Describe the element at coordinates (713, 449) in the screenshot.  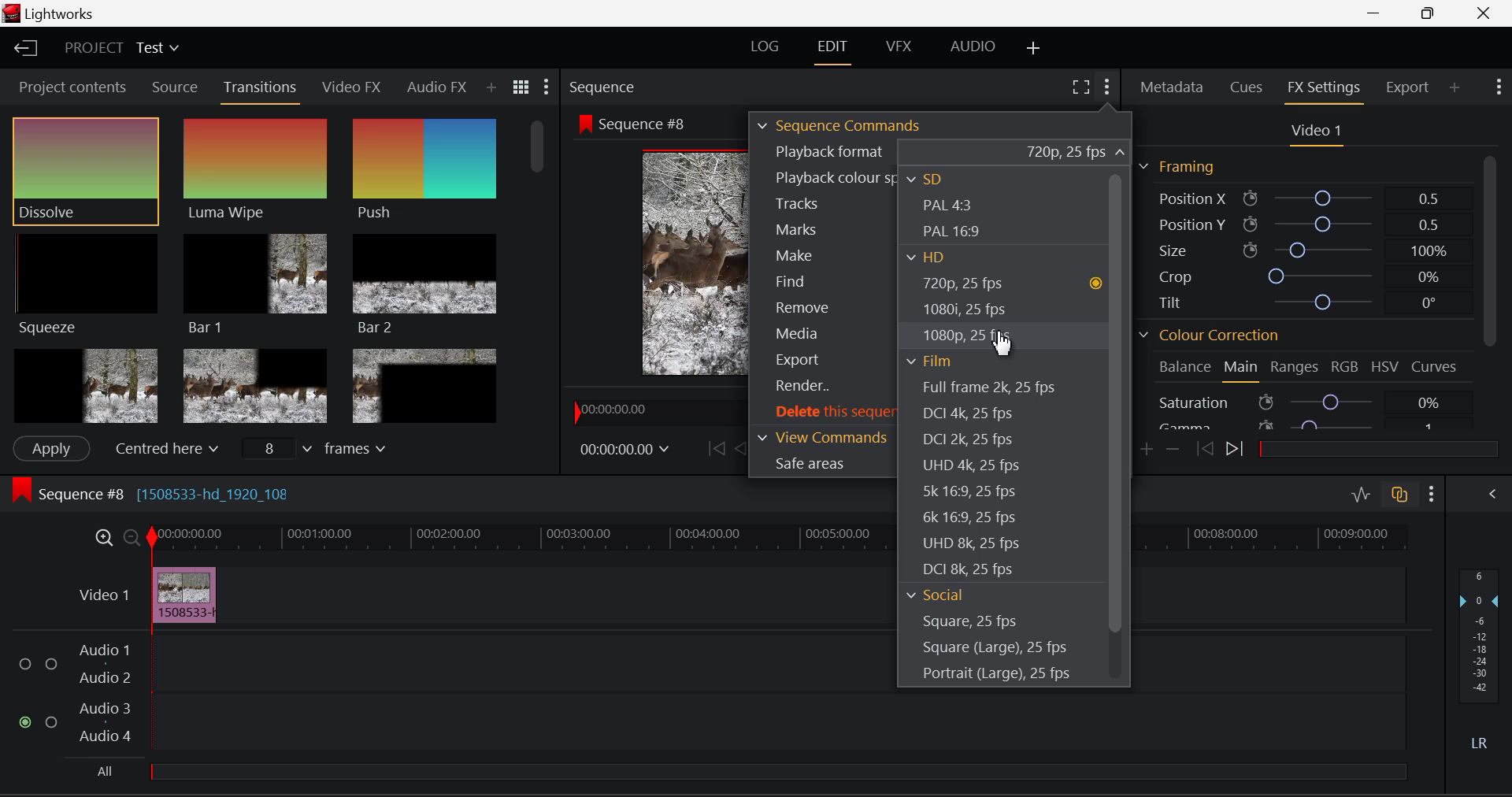
I see `To start` at that location.